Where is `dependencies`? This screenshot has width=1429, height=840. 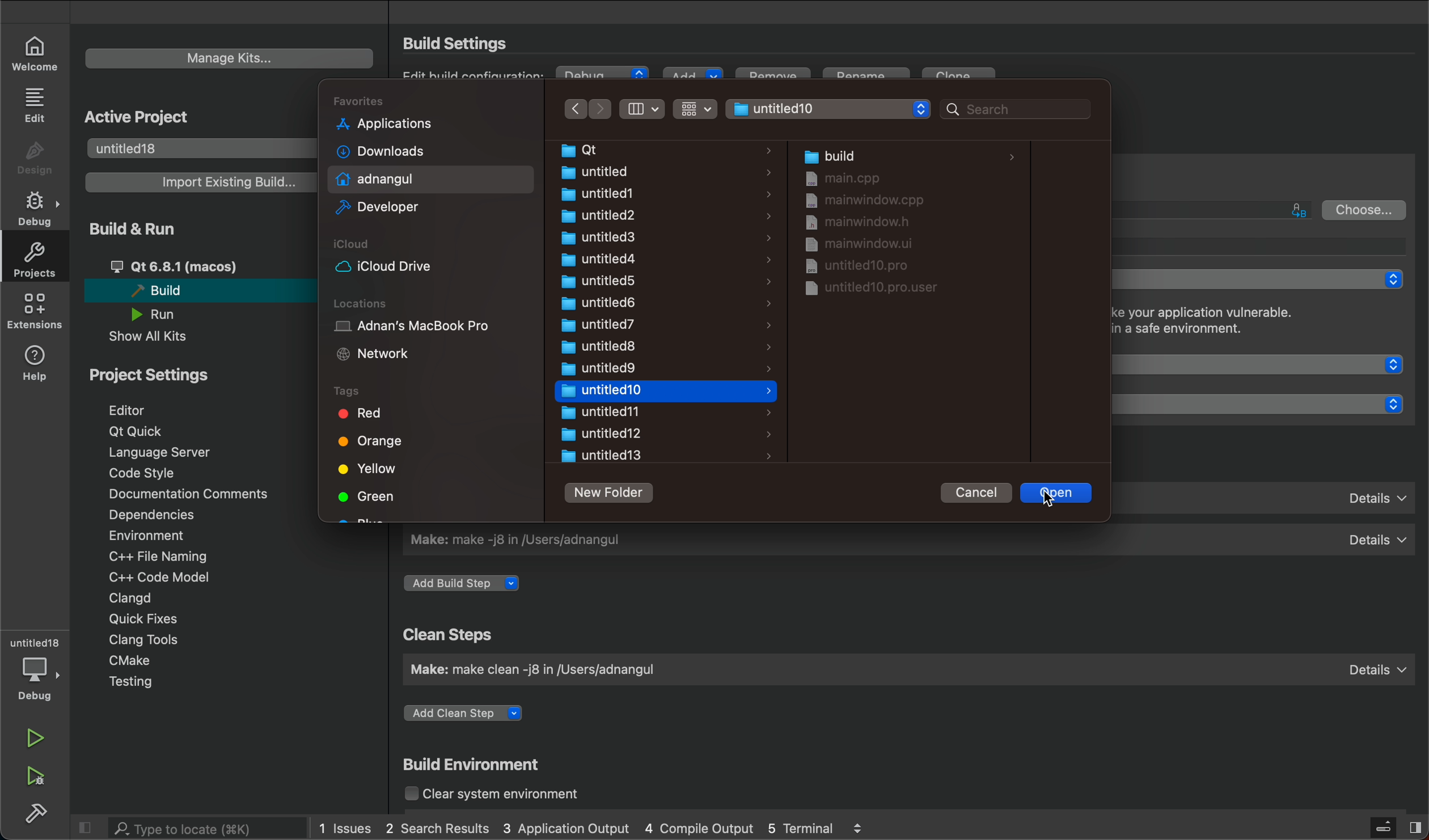 dependencies is located at coordinates (158, 515).